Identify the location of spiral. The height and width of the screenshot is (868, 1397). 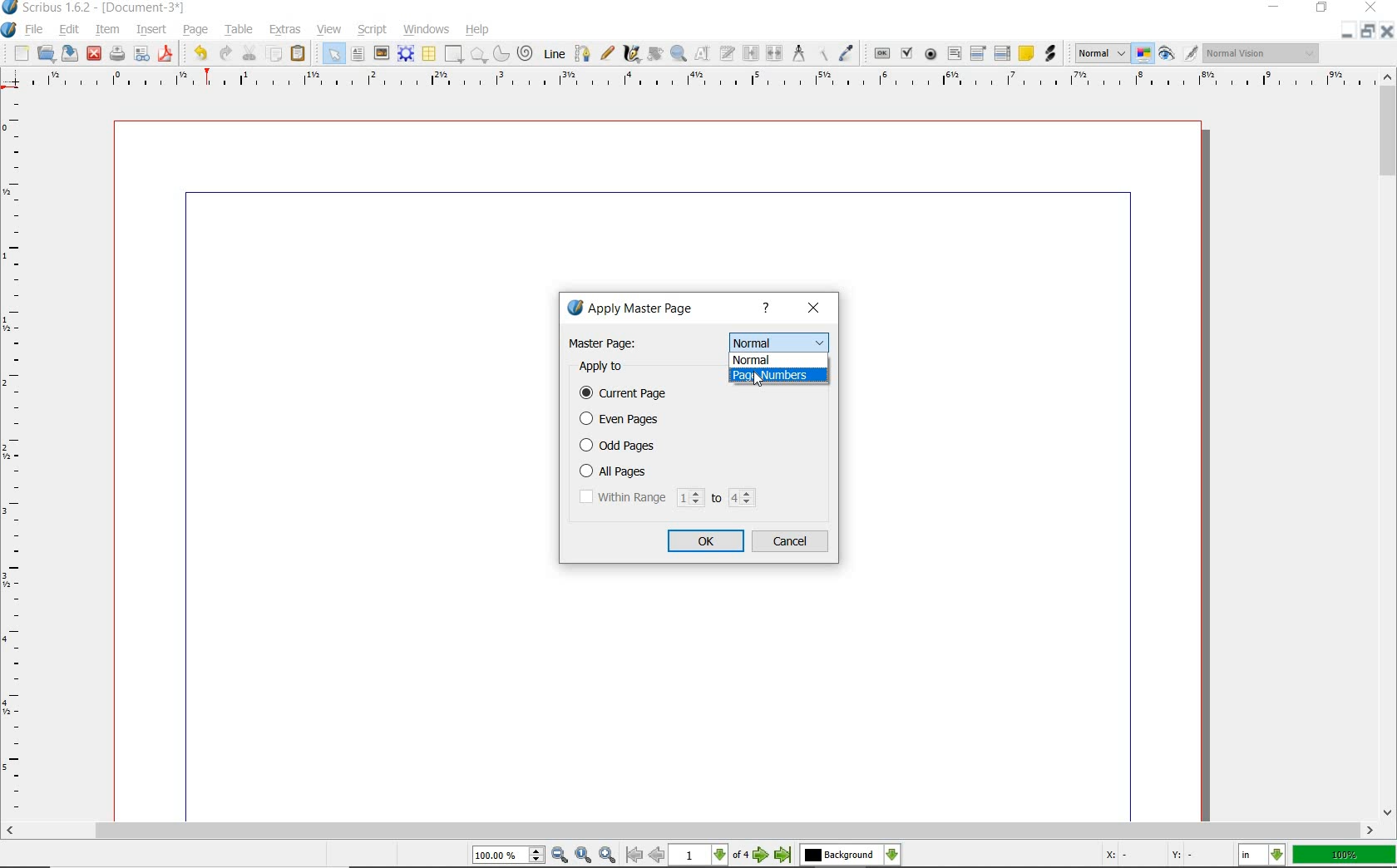
(525, 51).